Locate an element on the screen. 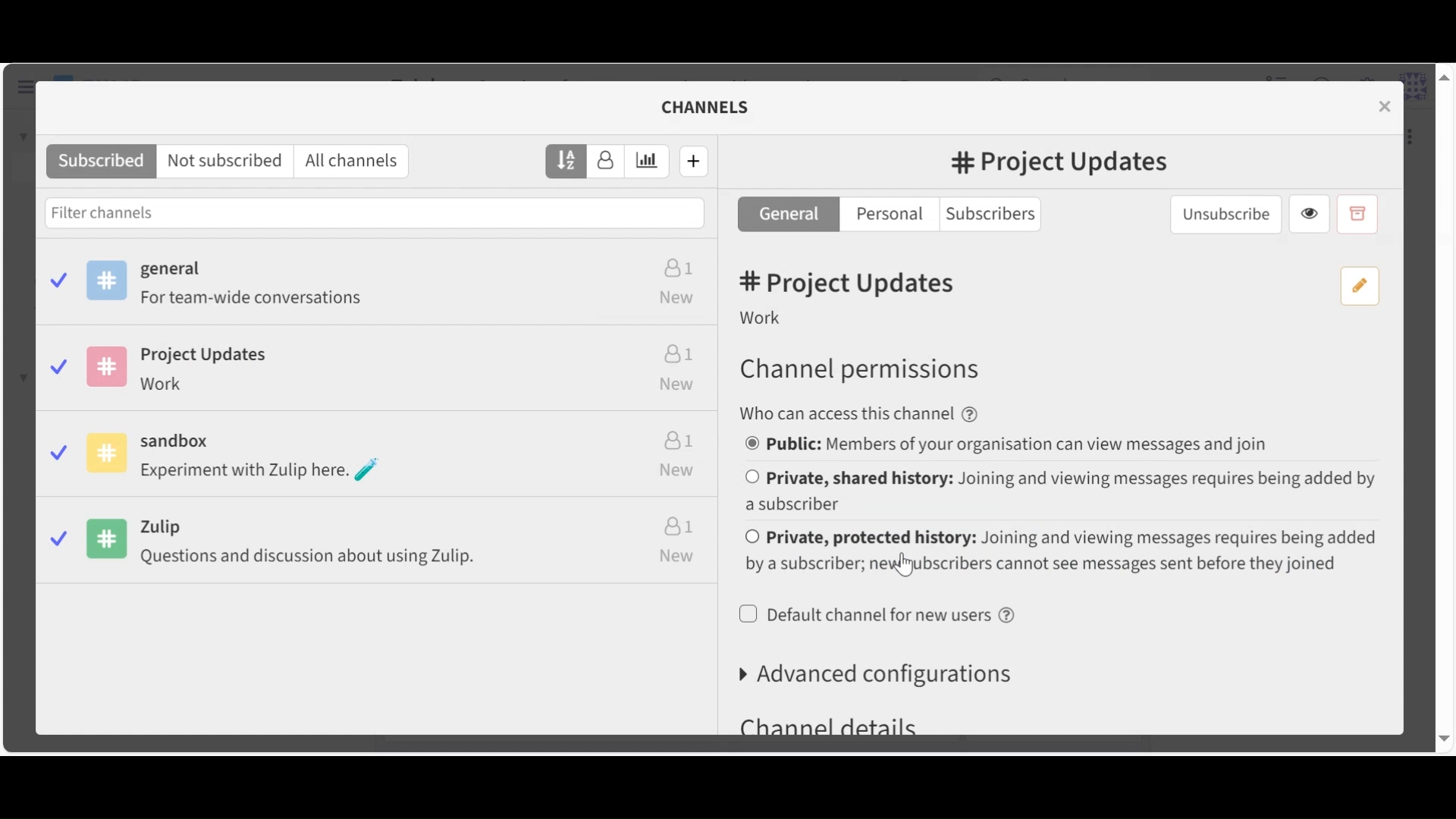 The width and height of the screenshot is (1456, 819). (un)select Private, shared history is located at coordinates (1067, 491).